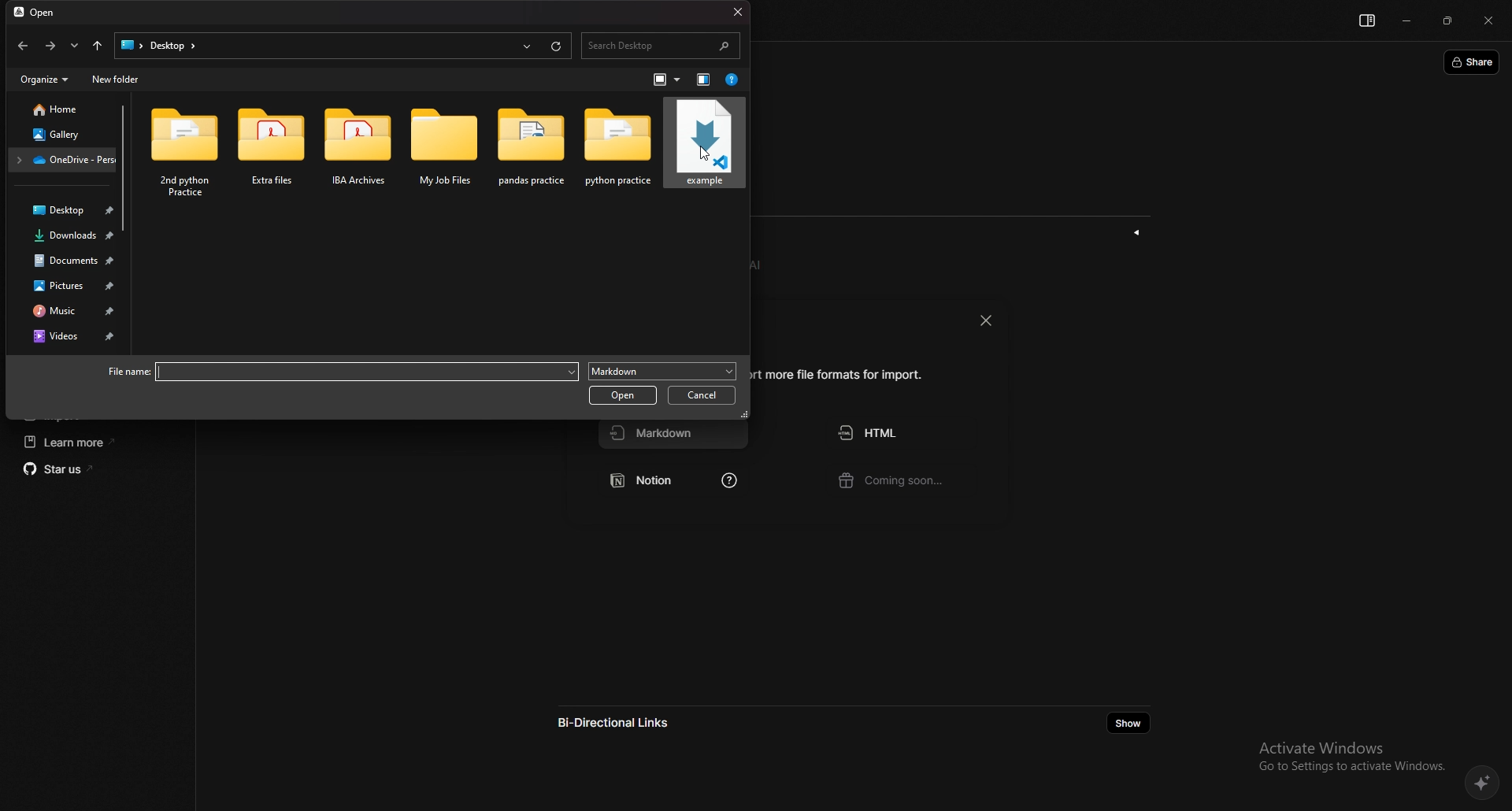 Image resolution: width=1512 pixels, height=811 pixels. What do you see at coordinates (368, 371) in the screenshot?
I see `file name input` at bounding box center [368, 371].